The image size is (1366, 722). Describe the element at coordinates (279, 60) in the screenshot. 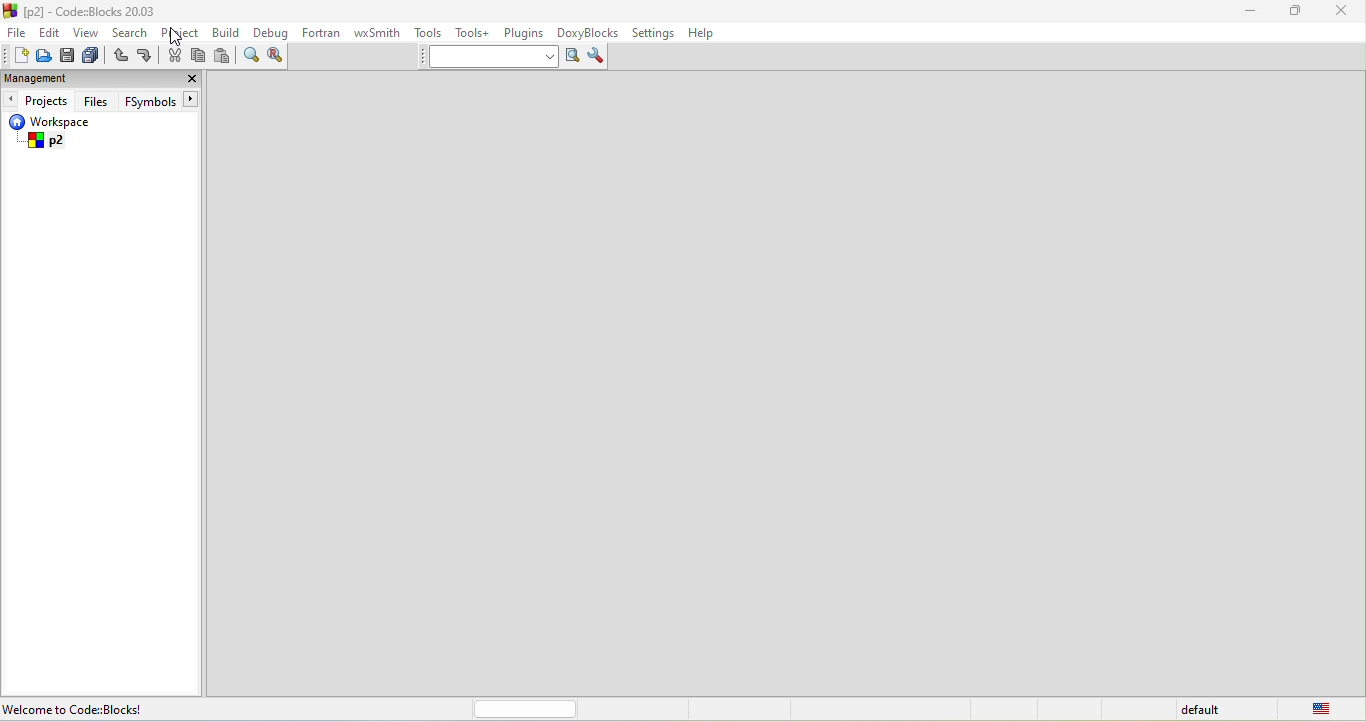

I see `replace` at that location.